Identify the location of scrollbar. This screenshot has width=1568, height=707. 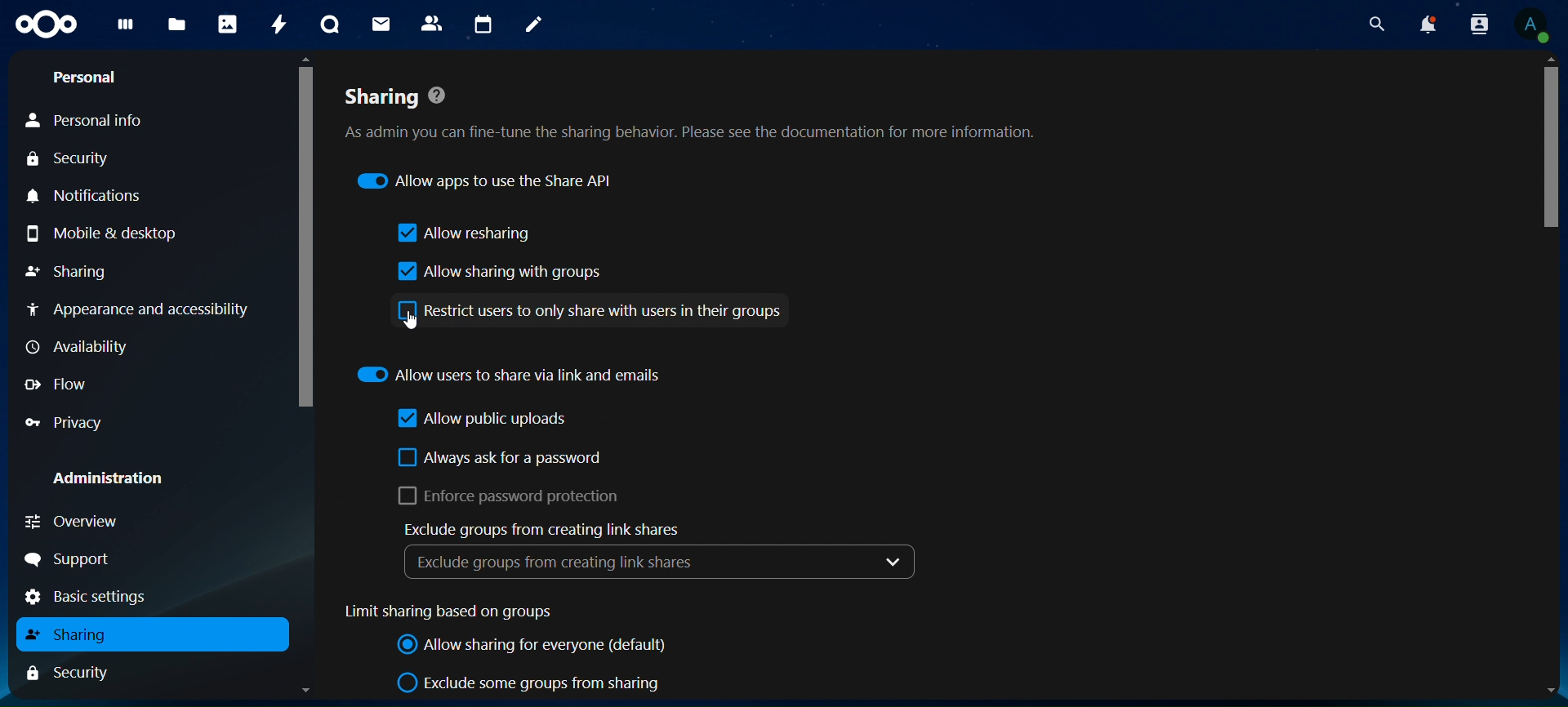
(305, 231).